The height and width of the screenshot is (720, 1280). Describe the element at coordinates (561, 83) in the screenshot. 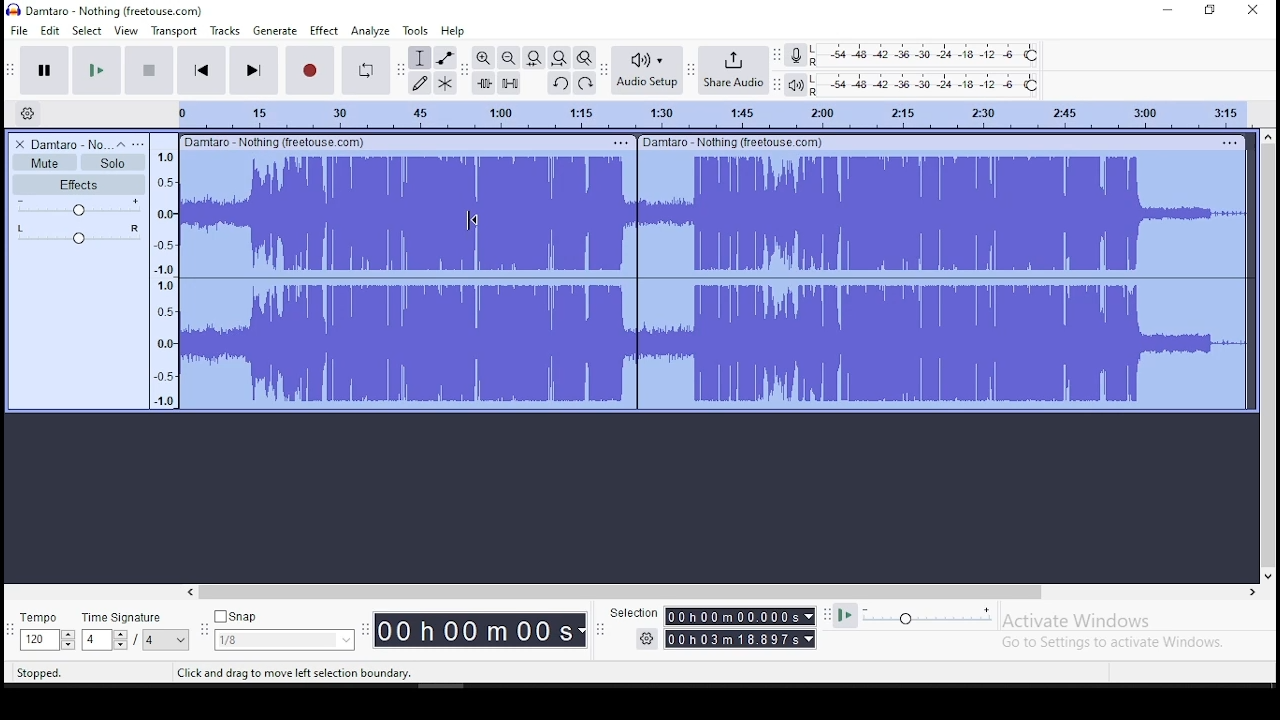

I see `undo` at that location.